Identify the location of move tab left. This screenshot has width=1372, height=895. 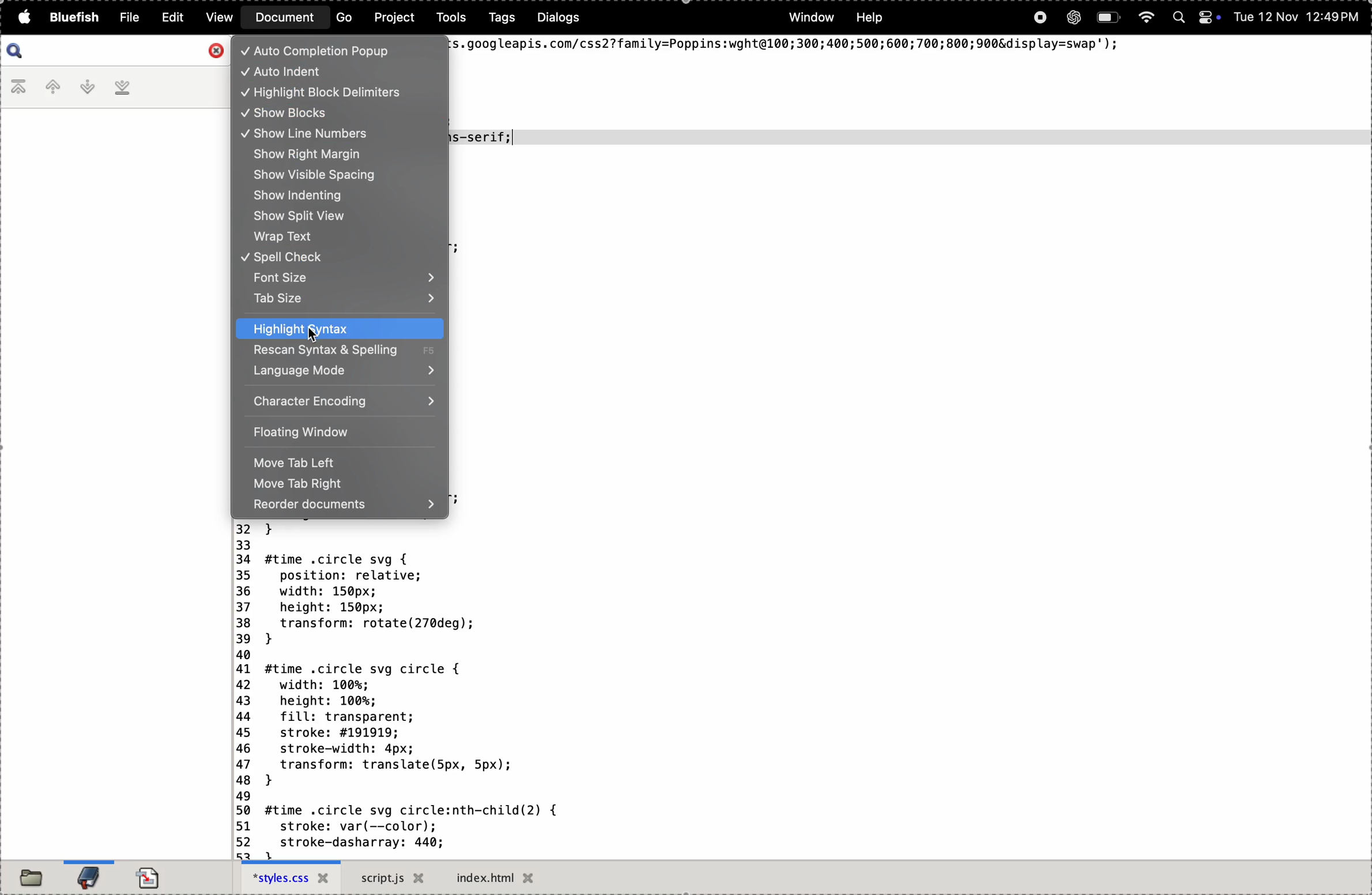
(337, 463).